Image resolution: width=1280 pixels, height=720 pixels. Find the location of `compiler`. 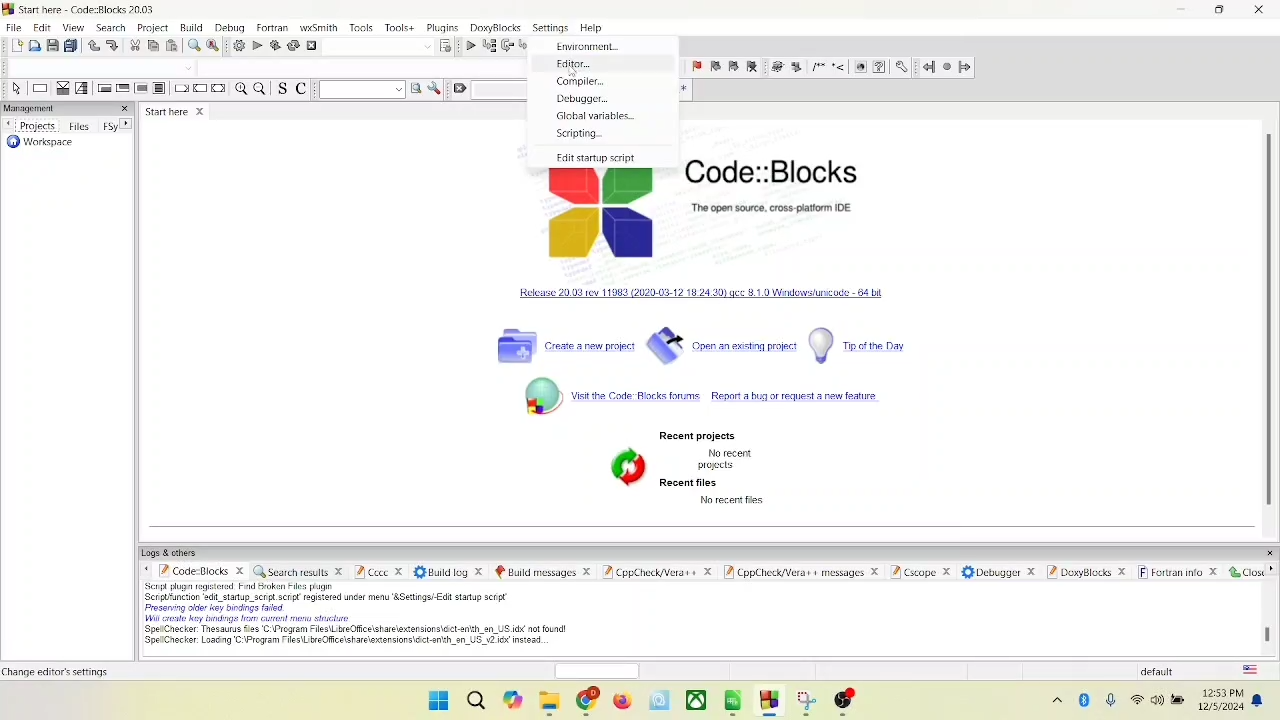

compiler is located at coordinates (581, 82).